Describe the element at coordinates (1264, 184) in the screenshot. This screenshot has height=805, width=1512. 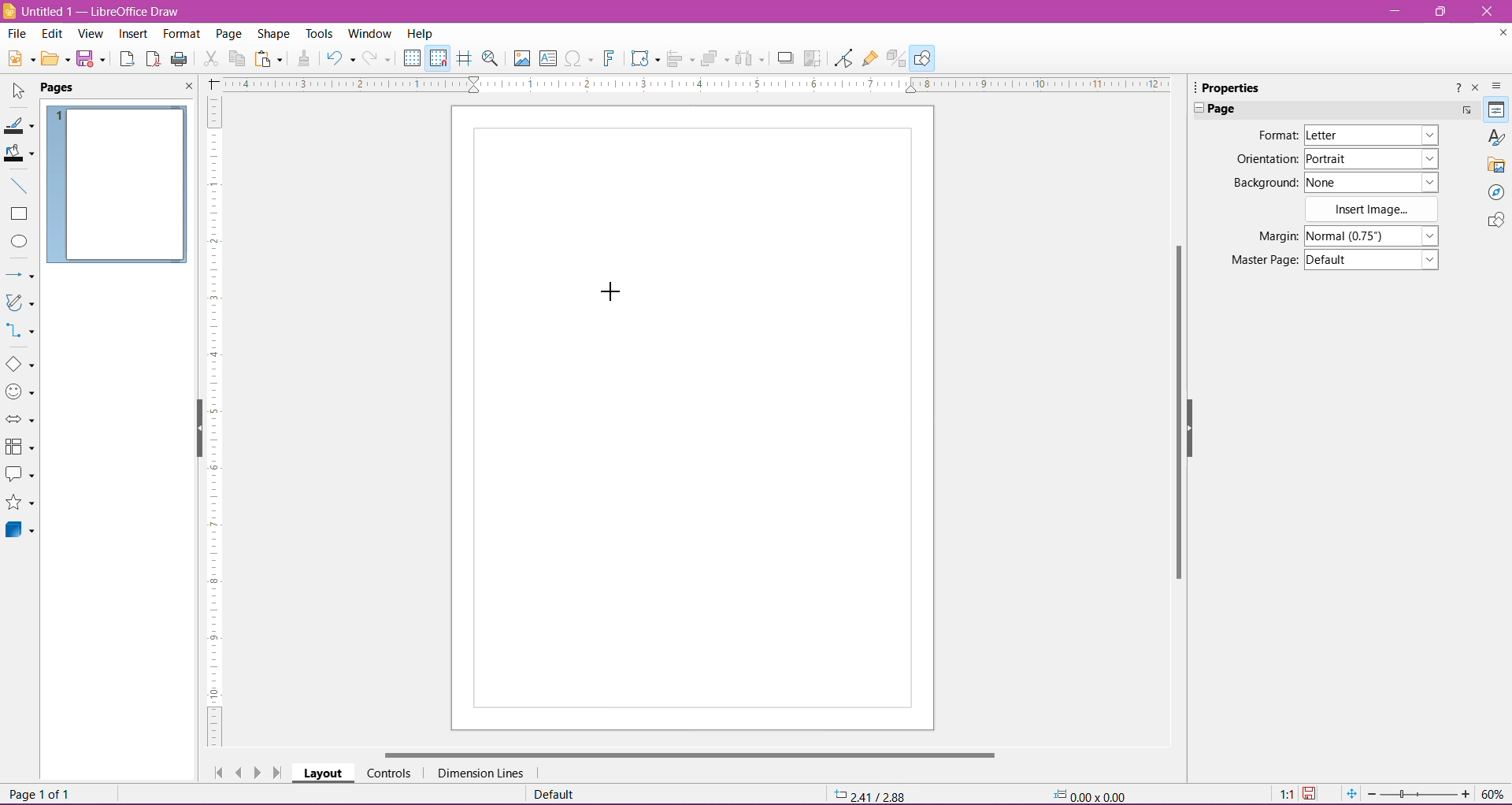
I see `Background` at that location.